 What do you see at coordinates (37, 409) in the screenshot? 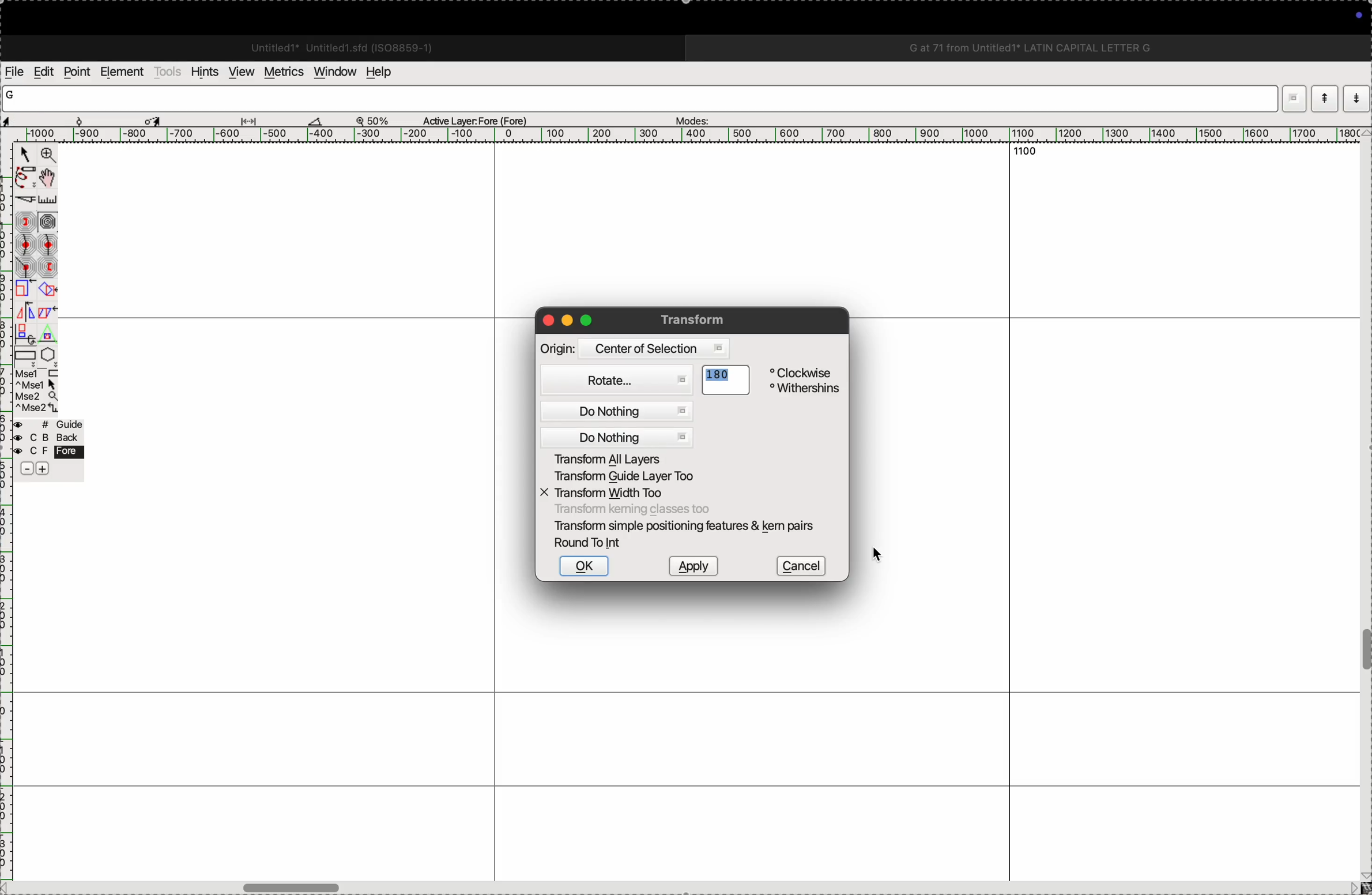
I see `mouse wheel button + Ctrl` at bounding box center [37, 409].